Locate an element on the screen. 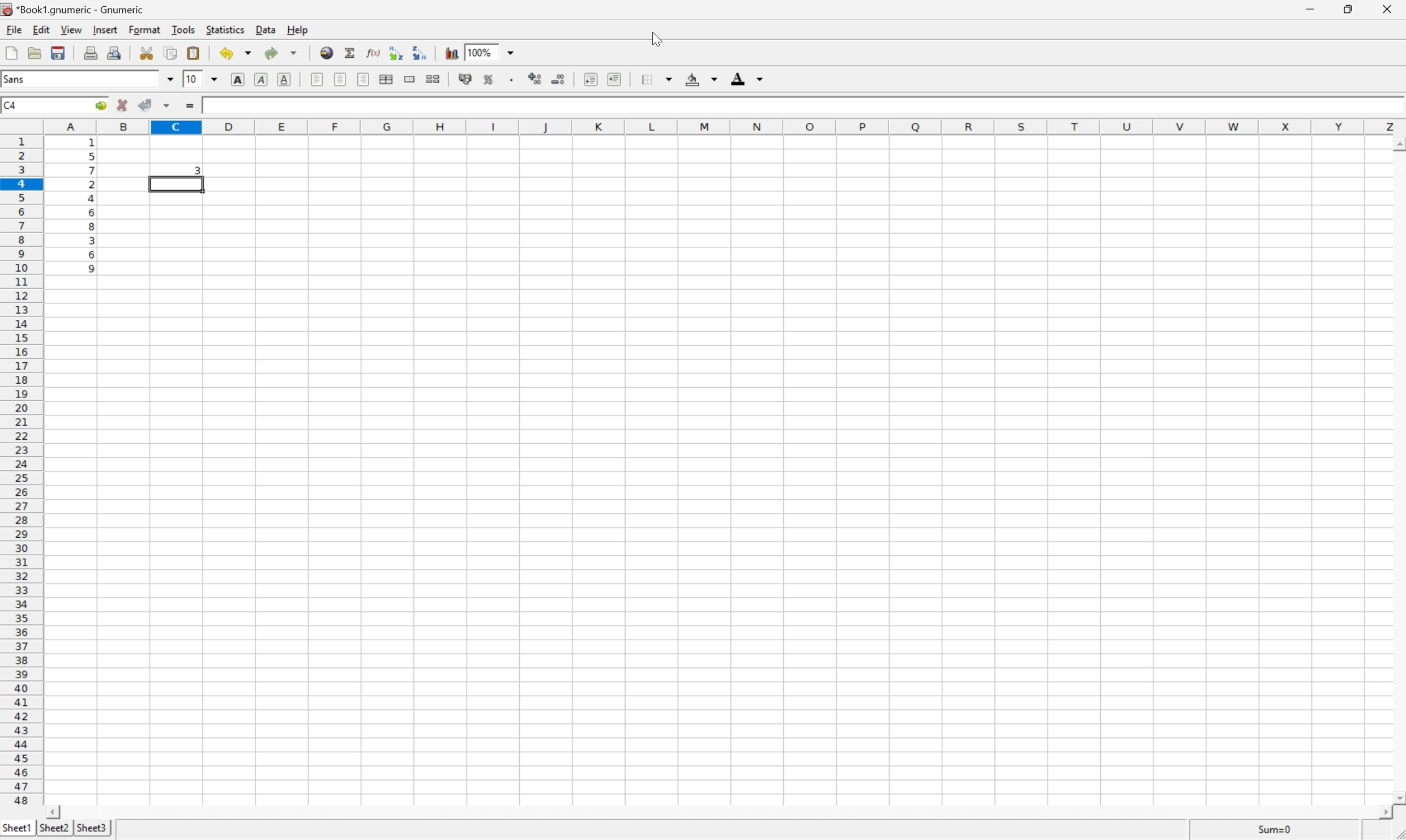  undo is located at coordinates (233, 53).